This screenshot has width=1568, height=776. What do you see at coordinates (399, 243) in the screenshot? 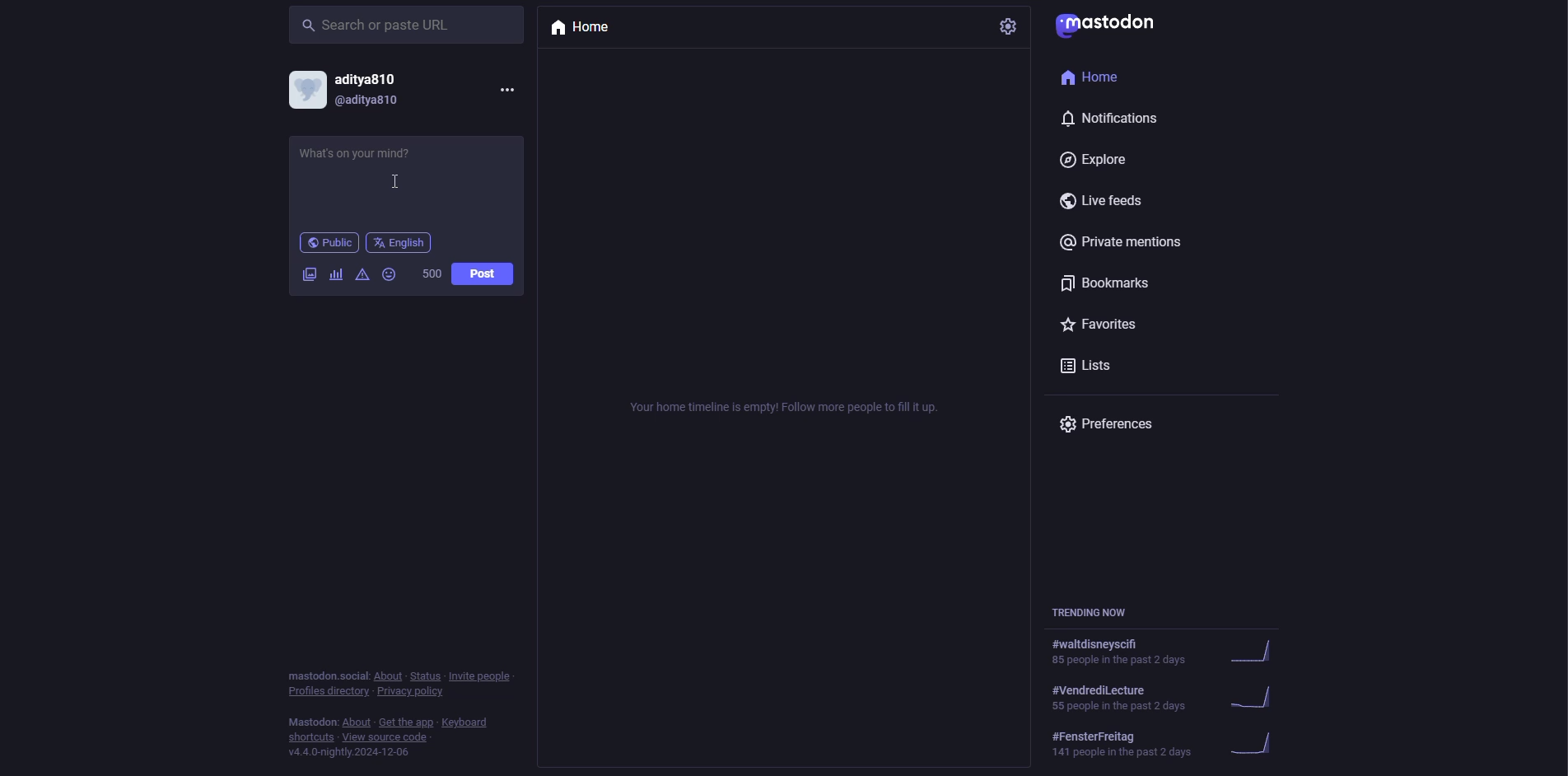
I see `english` at bounding box center [399, 243].